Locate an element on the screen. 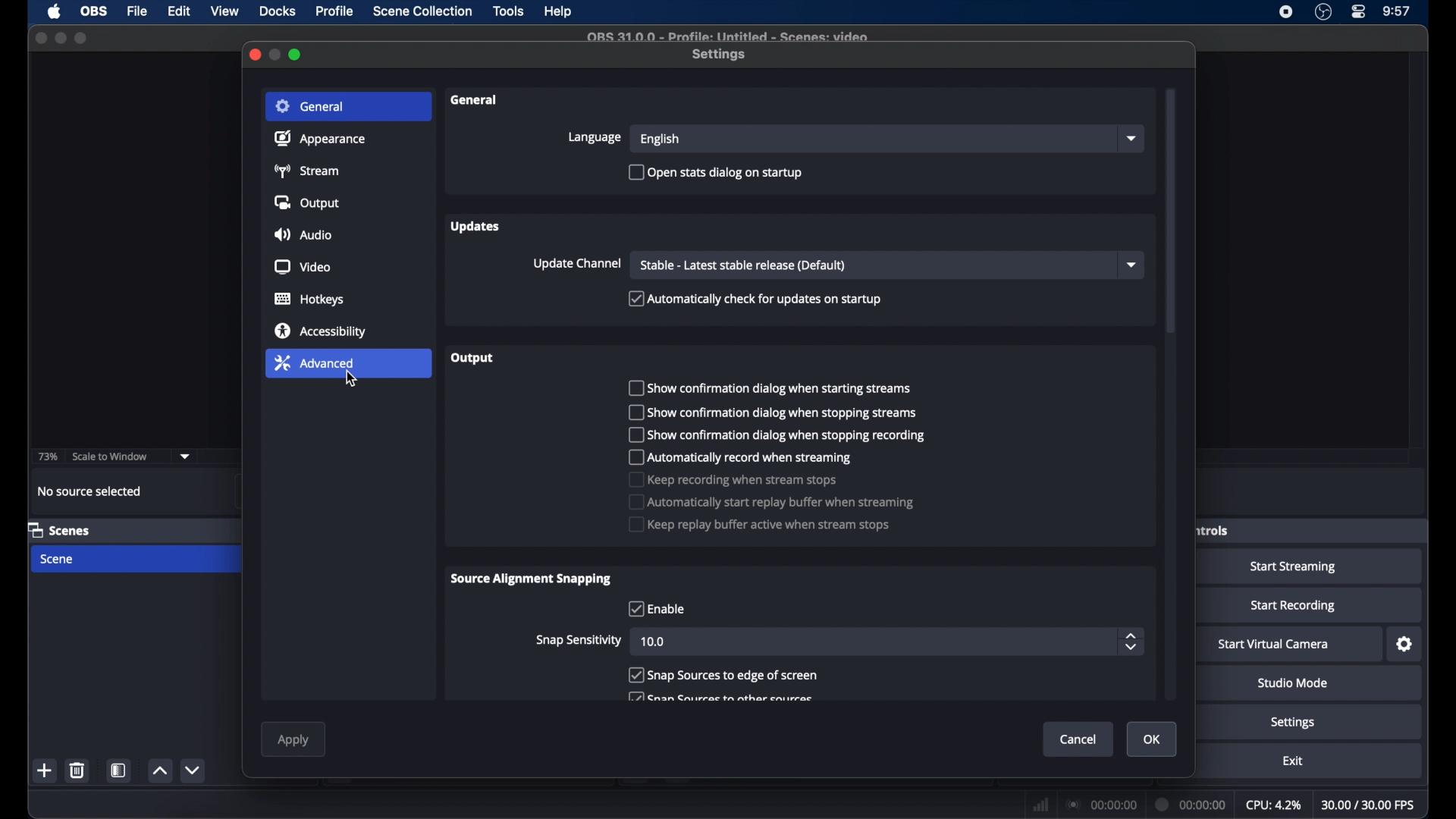 Image resolution: width=1456 pixels, height=819 pixels. checkbox is located at coordinates (733, 479).